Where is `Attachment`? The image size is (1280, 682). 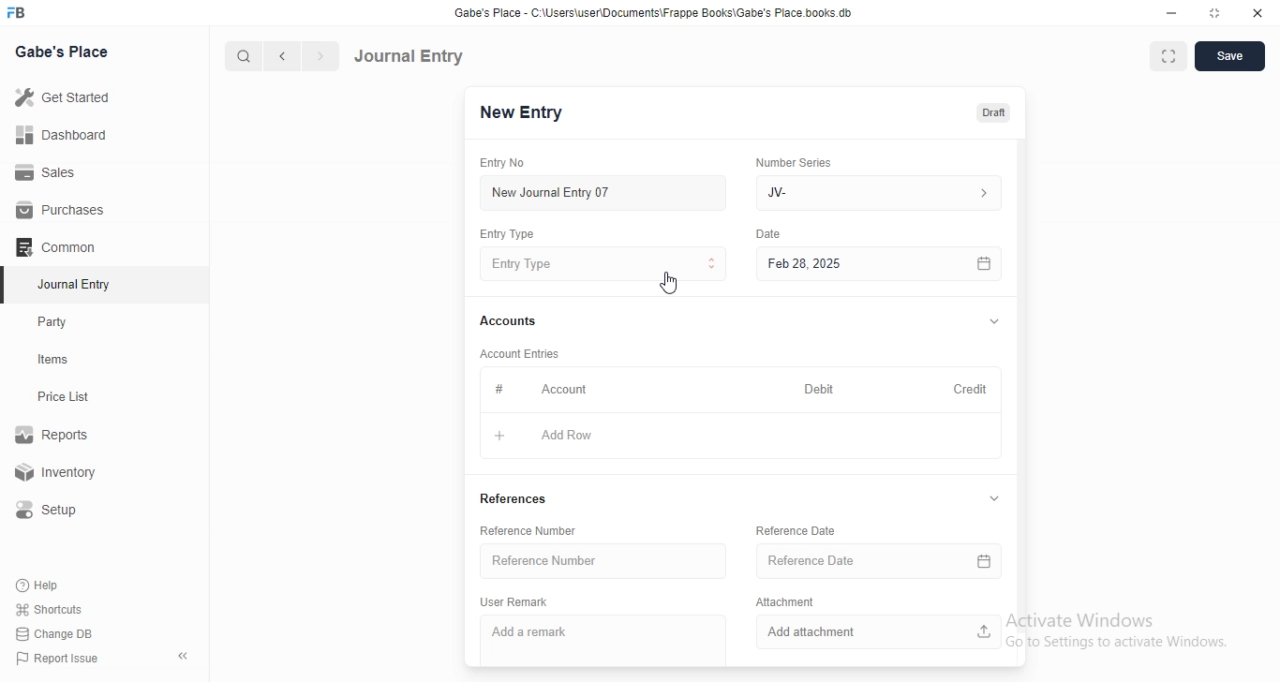
Attachment is located at coordinates (782, 602).